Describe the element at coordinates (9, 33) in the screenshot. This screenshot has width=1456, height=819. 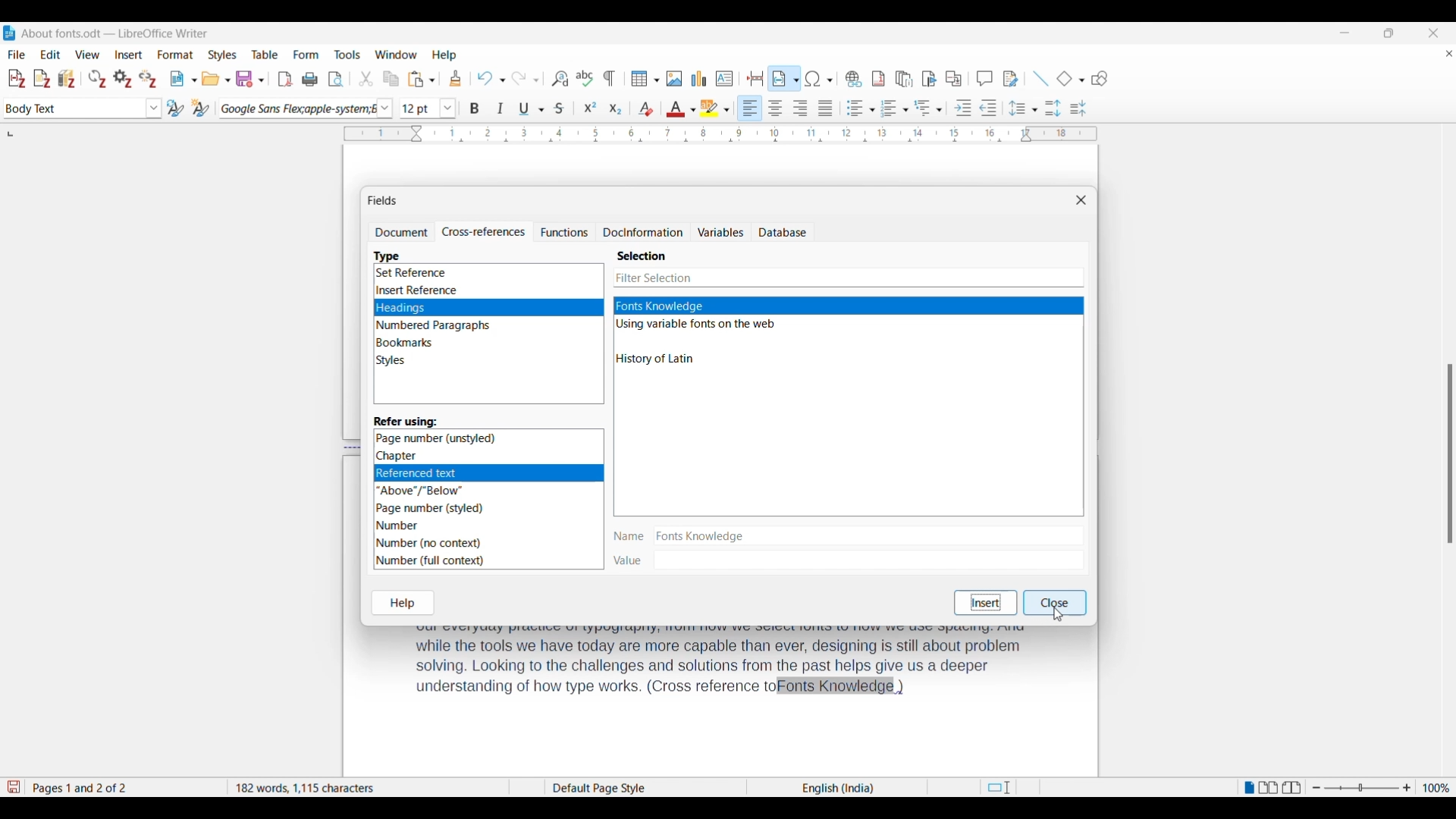
I see `LibreOffice Writer logo` at that location.